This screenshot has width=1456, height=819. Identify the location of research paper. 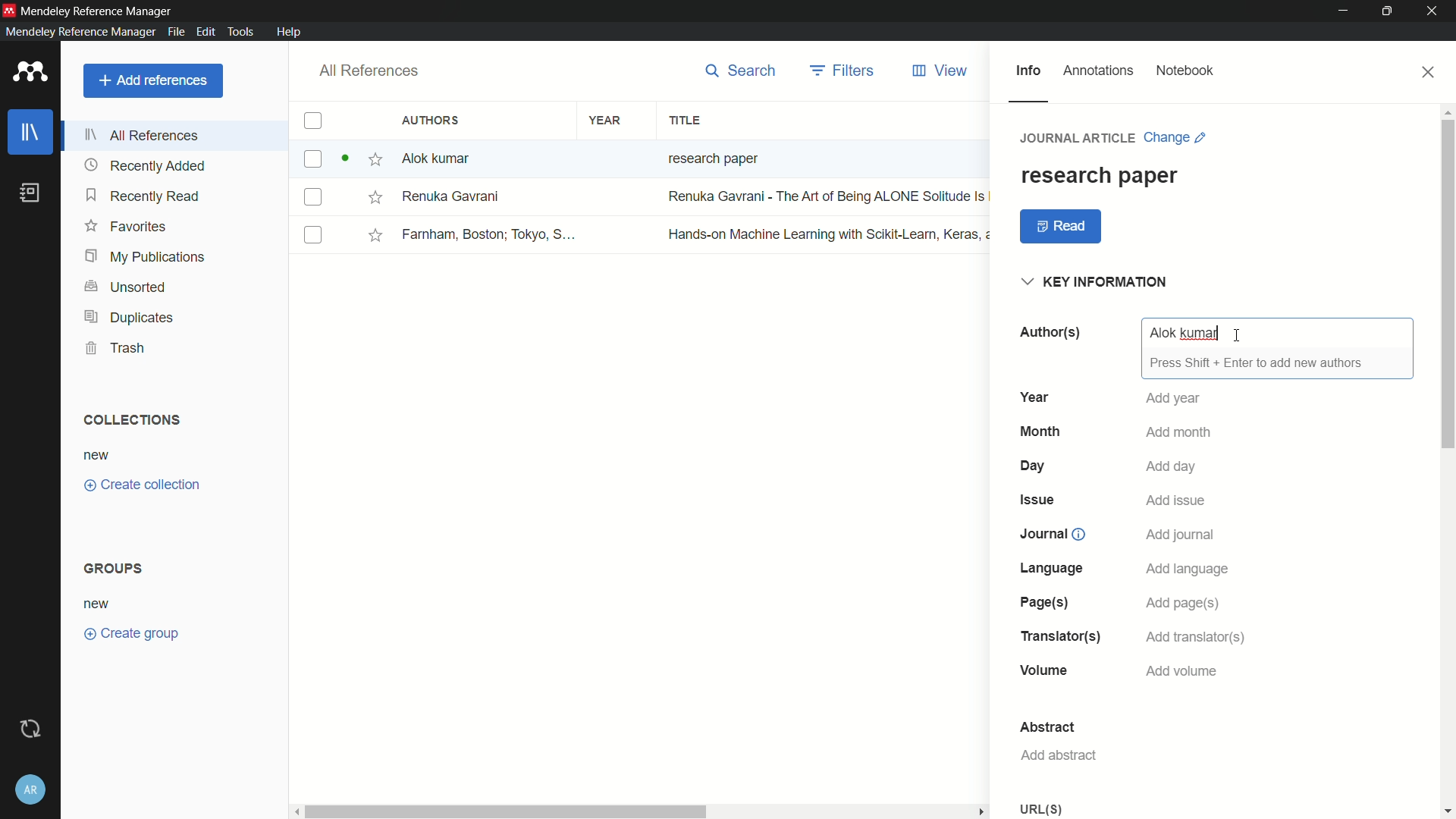
(1099, 175).